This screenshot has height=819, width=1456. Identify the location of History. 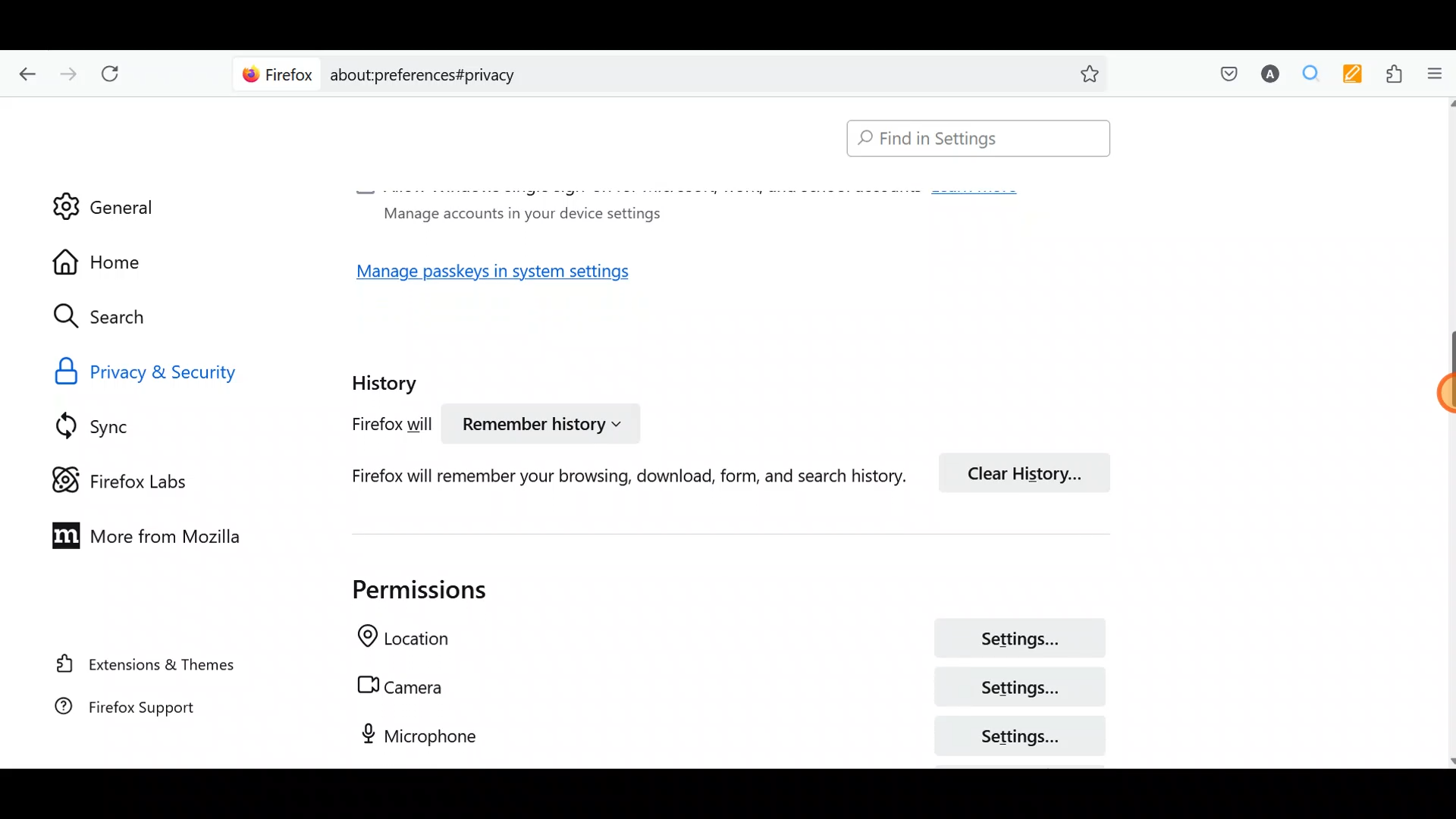
(388, 378).